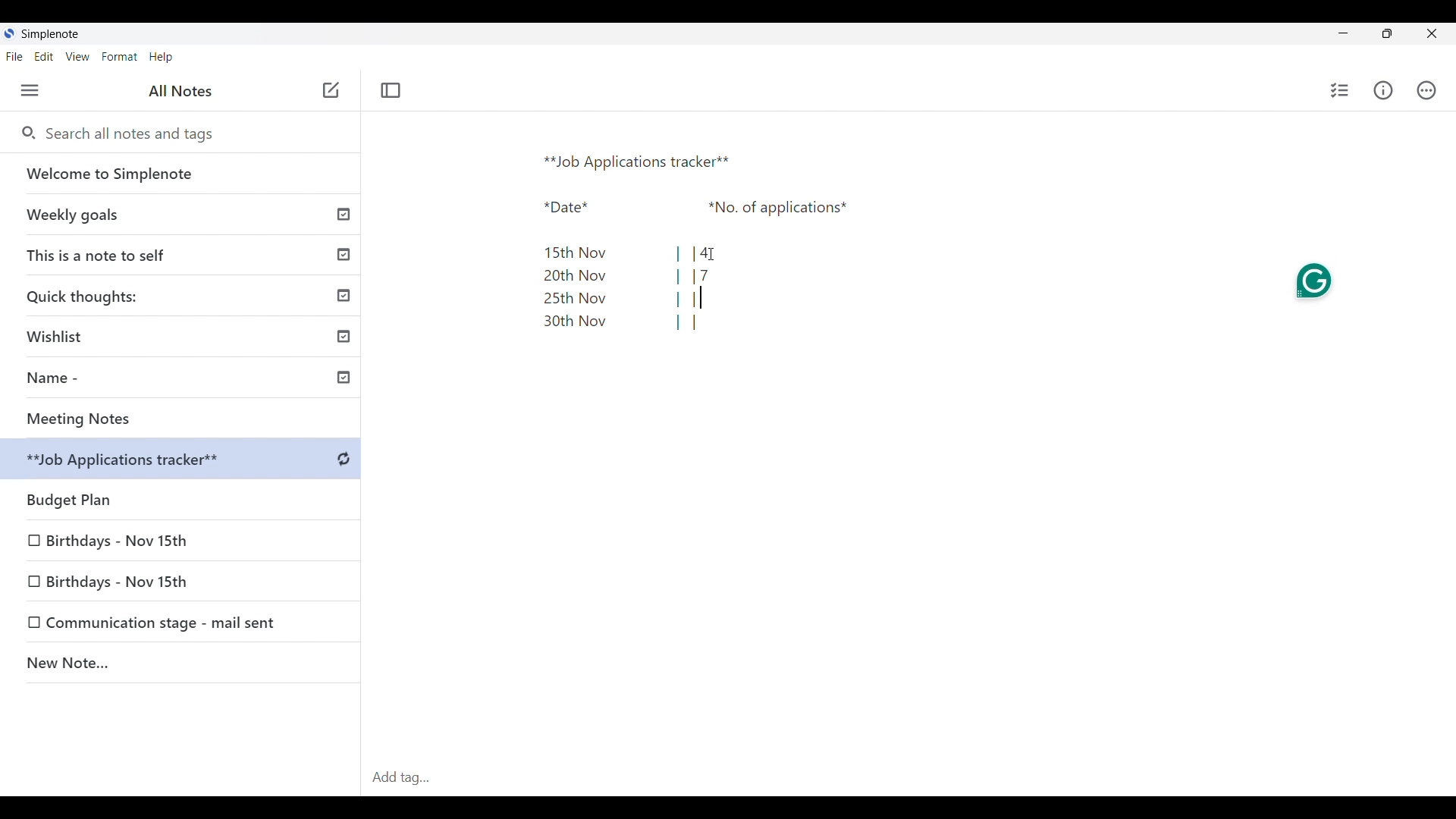 The image size is (1456, 819). I want to click on Birthdays - Nov 15th, so click(146, 579).